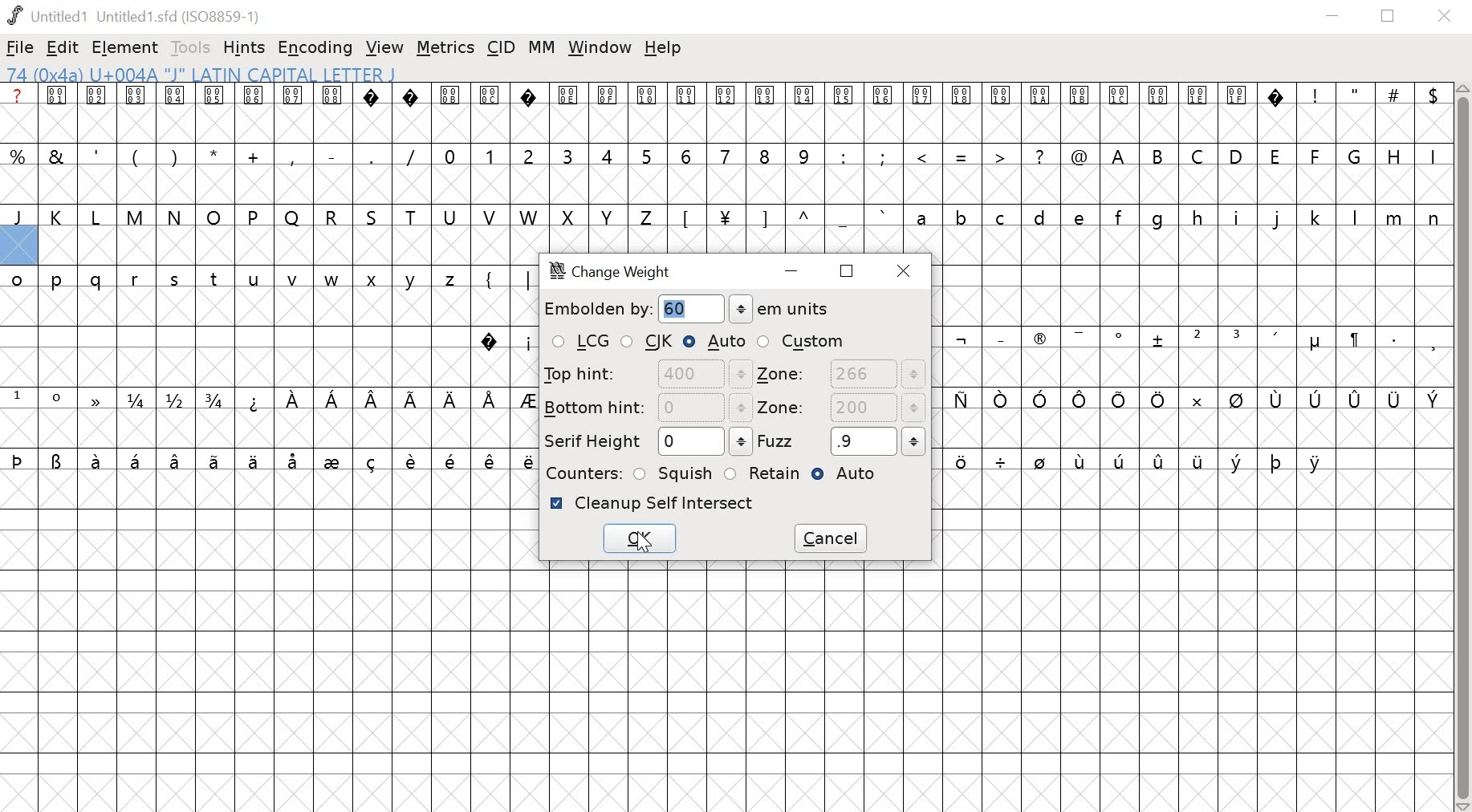 Image resolution: width=1472 pixels, height=812 pixels. What do you see at coordinates (620, 273) in the screenshot?
I see `change weight` at bounding box center [620, 273].